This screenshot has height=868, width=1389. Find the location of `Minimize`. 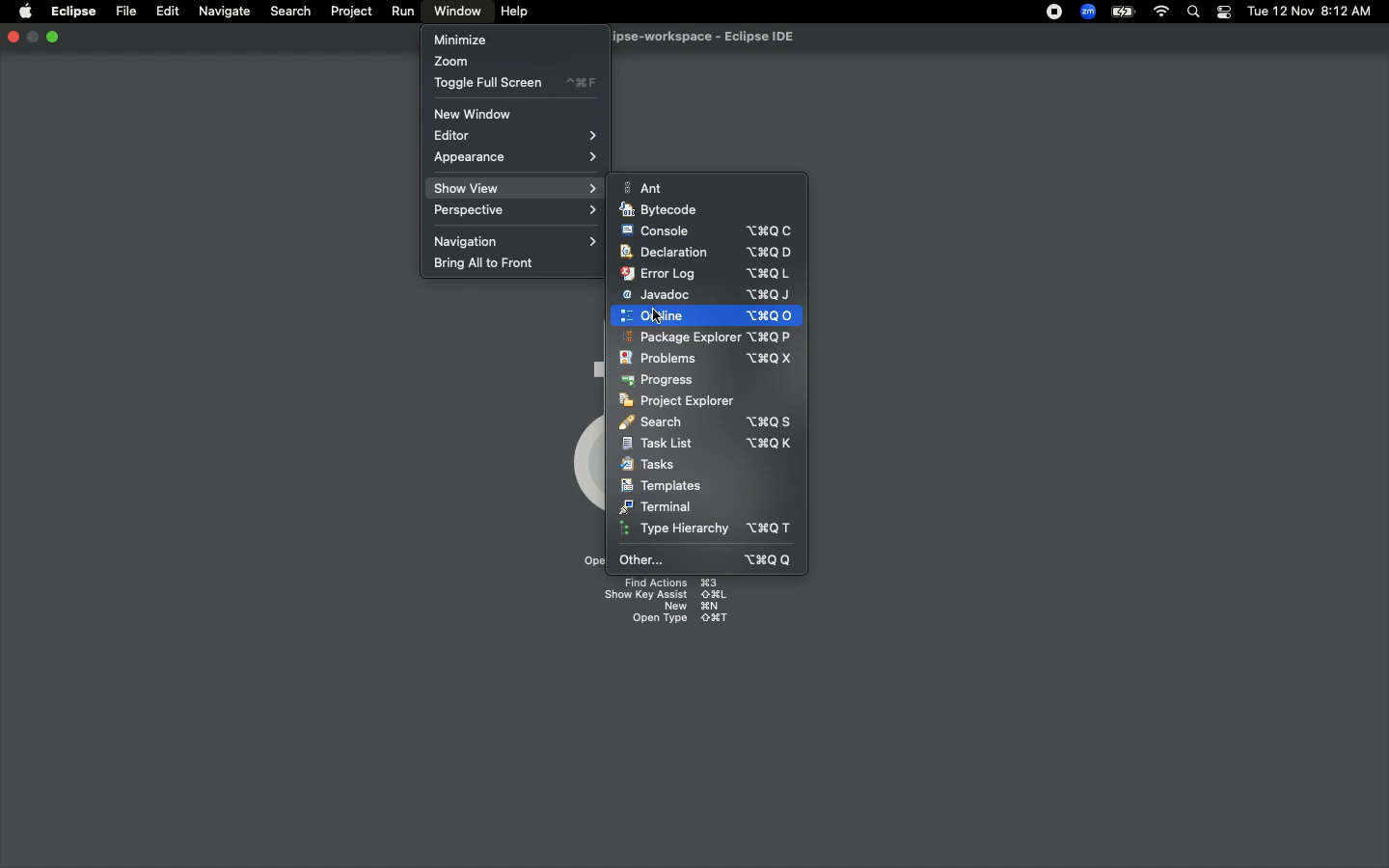

Minimize is located at coordinates (459, 39).